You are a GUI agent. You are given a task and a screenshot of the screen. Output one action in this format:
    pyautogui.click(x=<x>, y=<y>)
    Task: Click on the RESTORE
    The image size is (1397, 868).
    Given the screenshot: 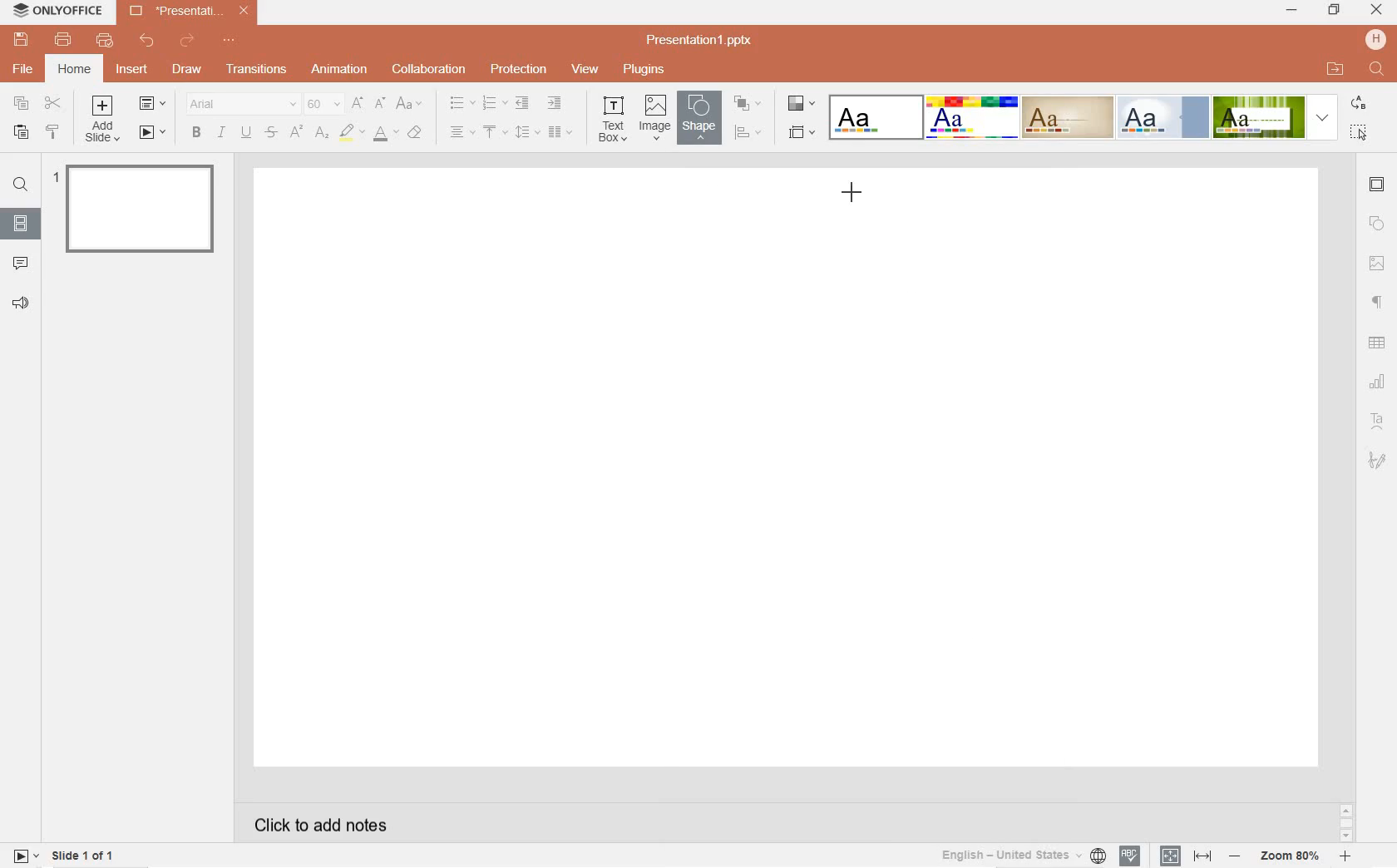 What is the action you would take?
    pyautogui.click(x=1330, y=10)
    